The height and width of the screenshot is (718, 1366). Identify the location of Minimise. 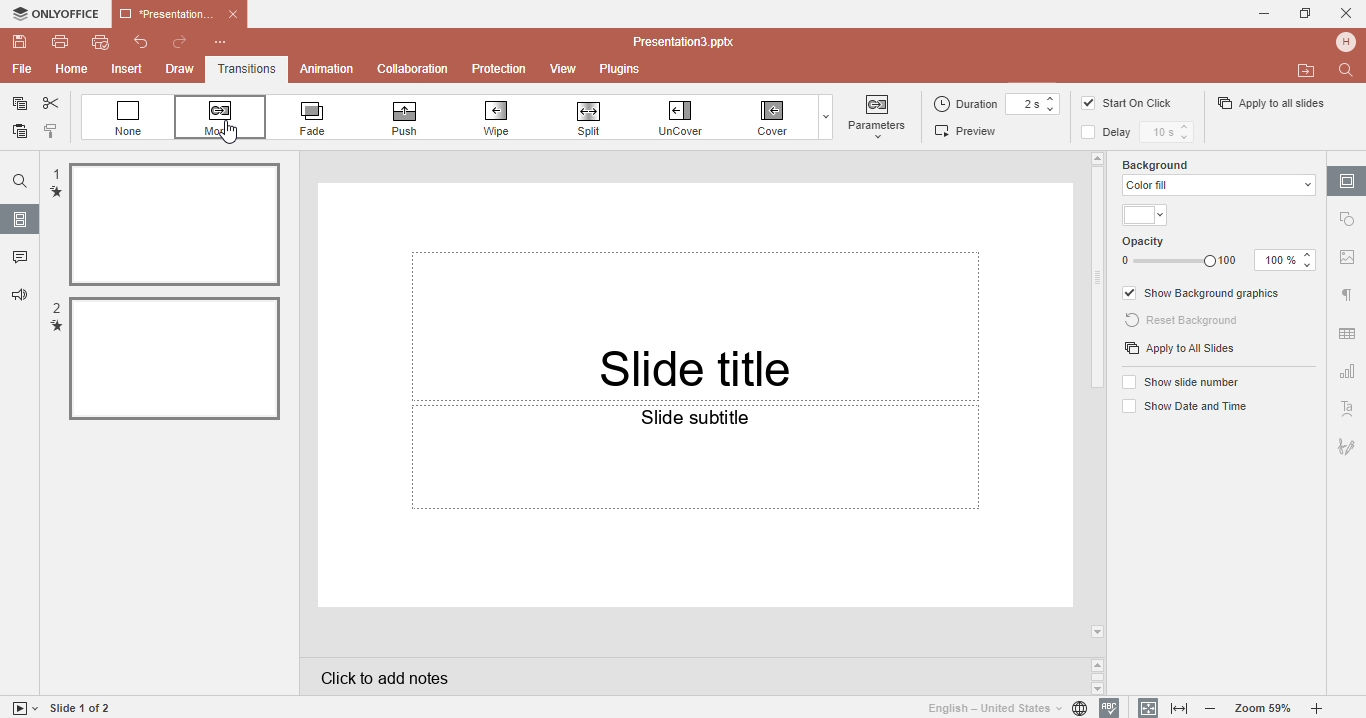
(1258, 13).